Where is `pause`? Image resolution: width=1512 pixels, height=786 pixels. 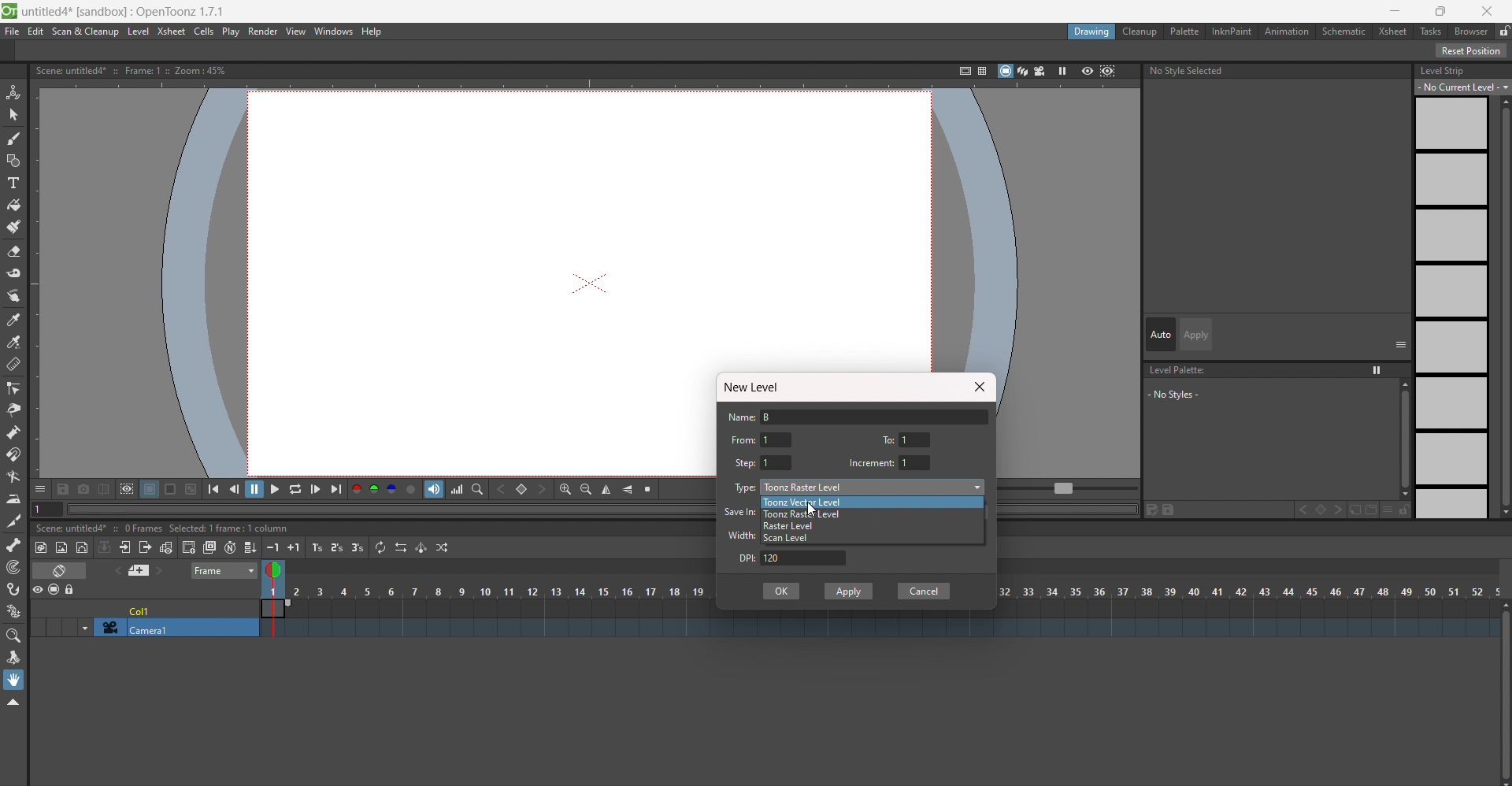 pause is located at coordinates (255, 489).